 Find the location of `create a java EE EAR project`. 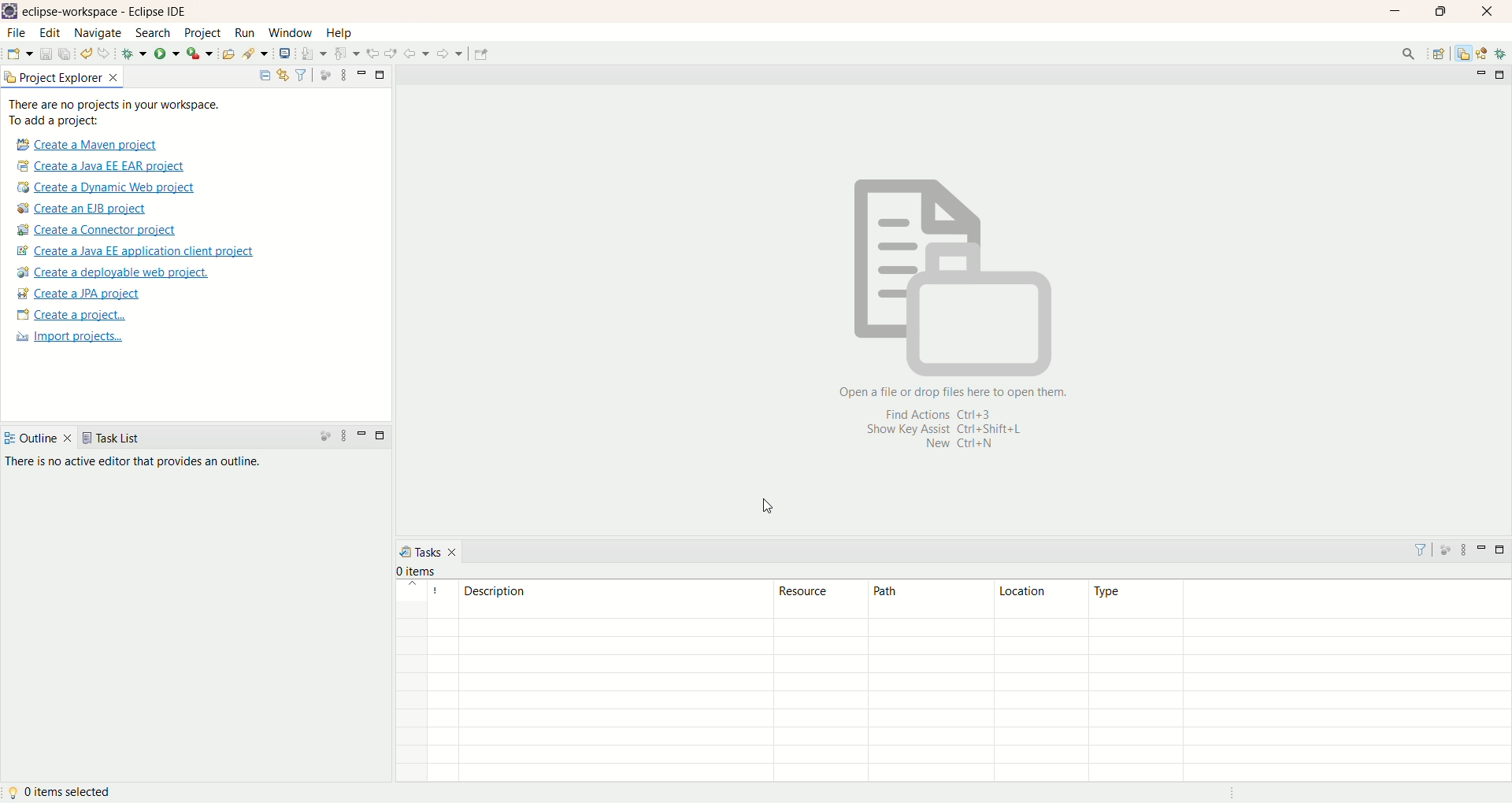

create a java EE EAR project is located at coordinates (107, 167).